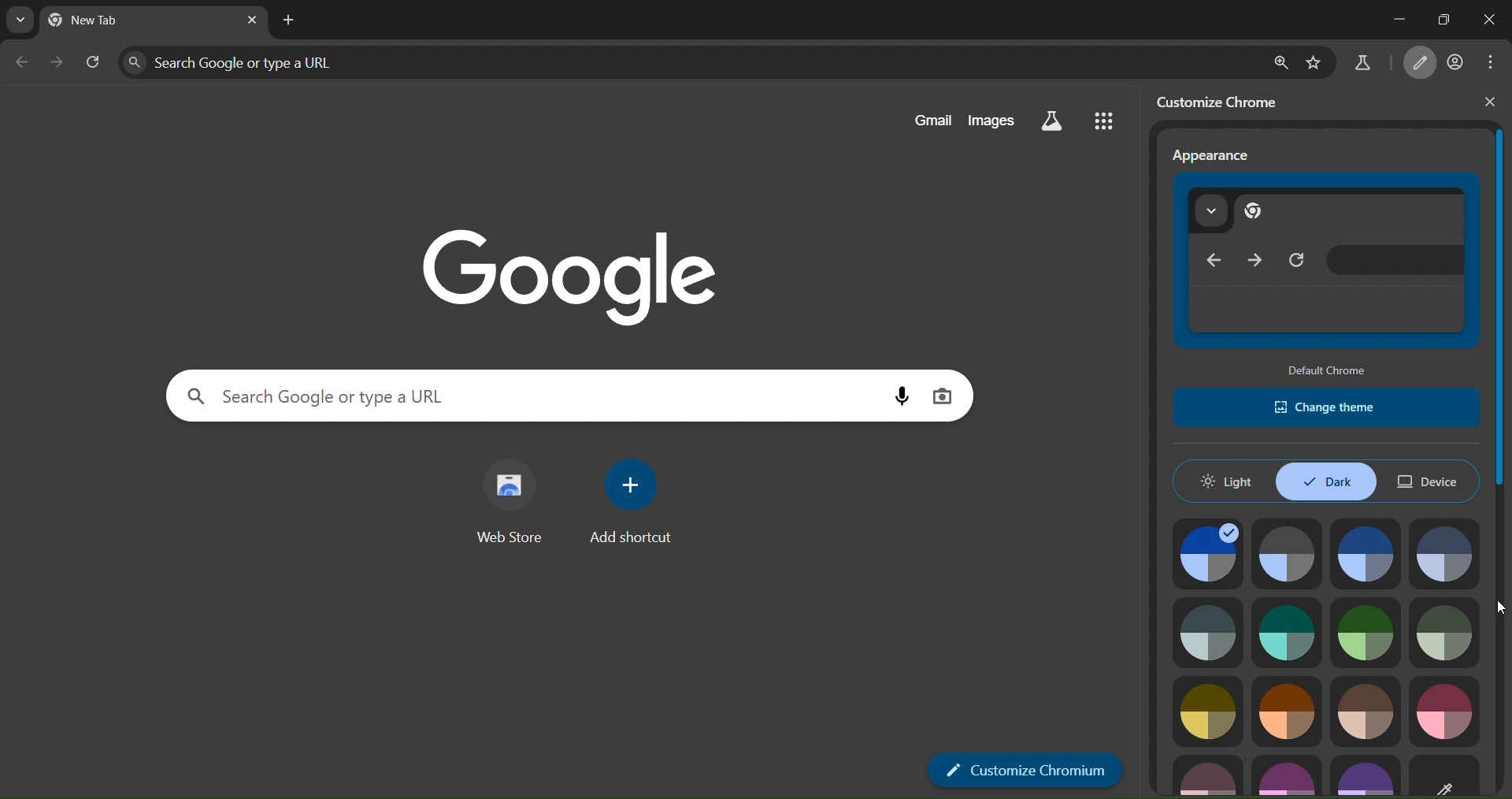 Image resolution: width=1512 pixels, height=799 pixels. What do you see at coordinates (894, 399) in the screenshot?
I see `voice search` at bounding box center [894, 399].